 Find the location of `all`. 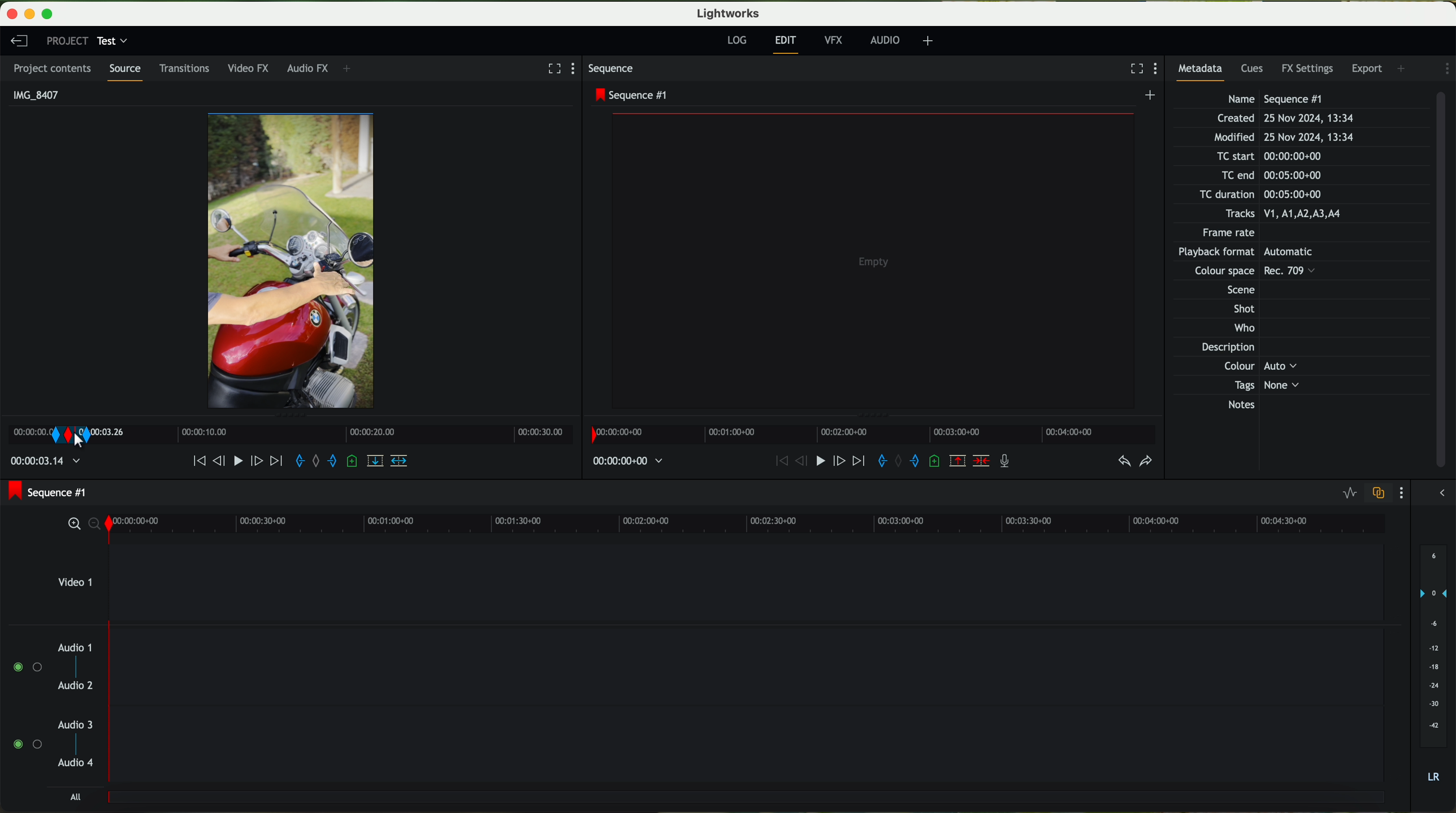

all is located at coordinates (77, 798).